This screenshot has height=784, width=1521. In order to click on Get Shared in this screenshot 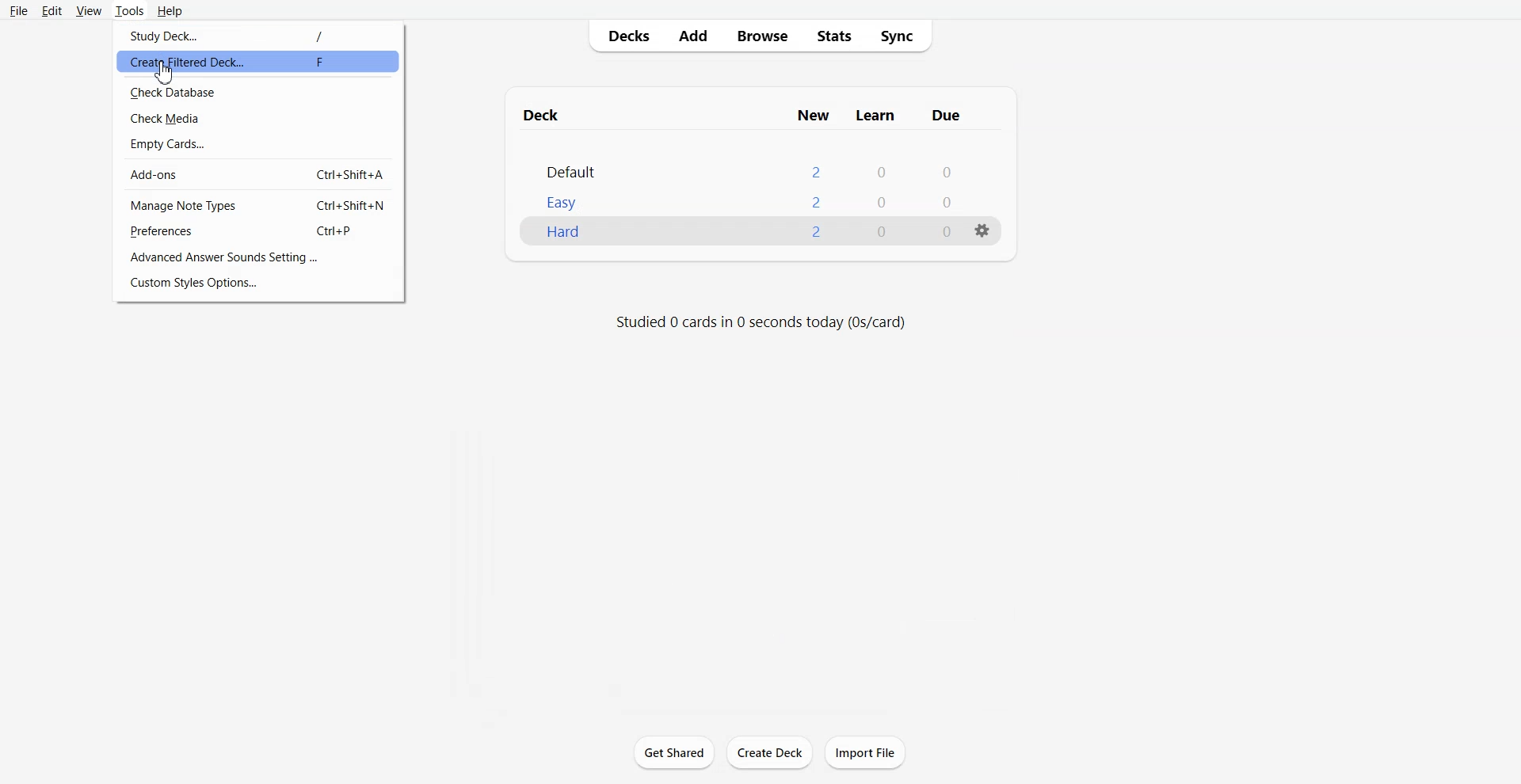, I will do `click(674, 752)`.